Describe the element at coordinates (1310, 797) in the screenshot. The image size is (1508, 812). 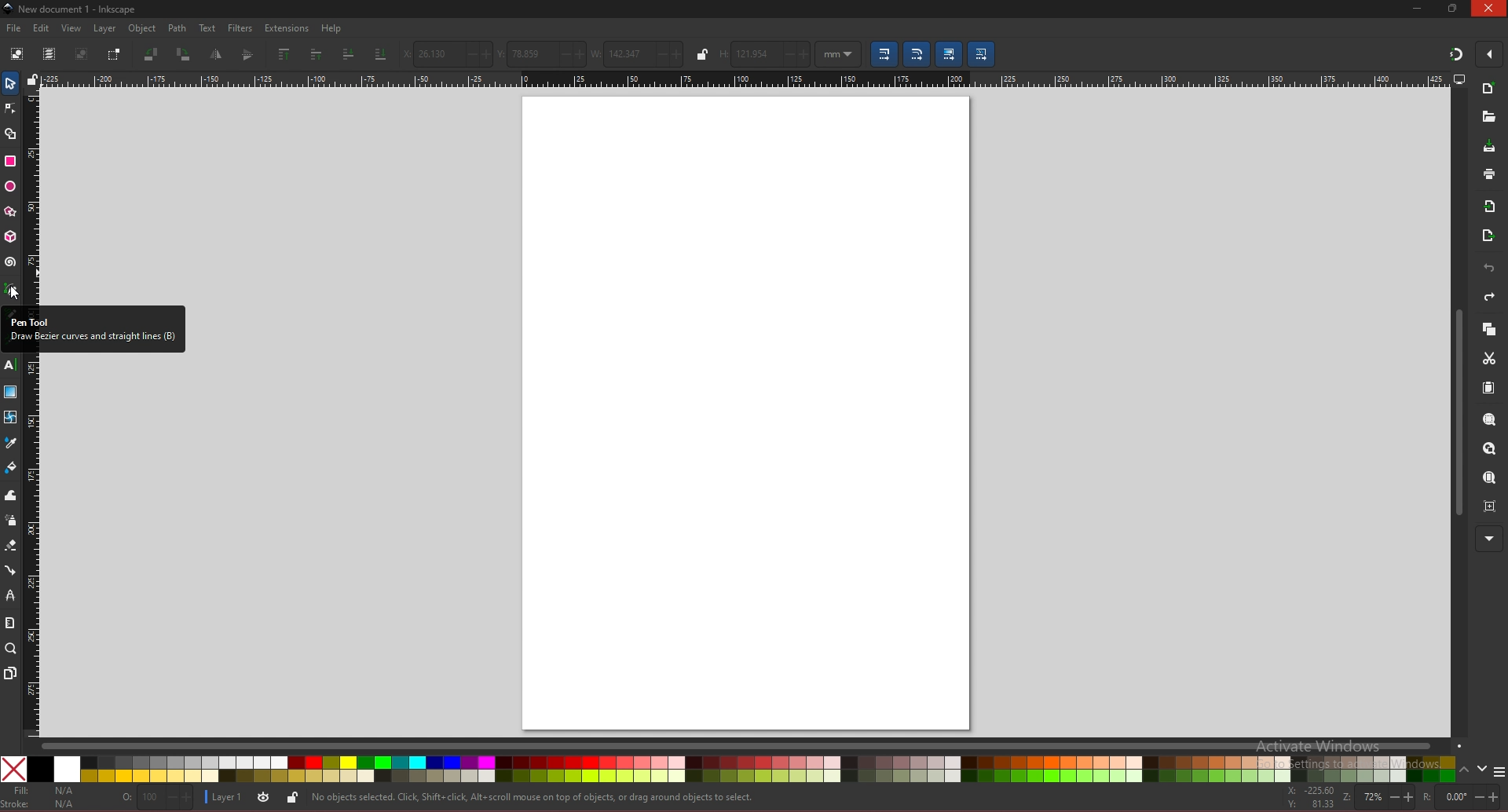
I see `x and y coordinates` at that location.